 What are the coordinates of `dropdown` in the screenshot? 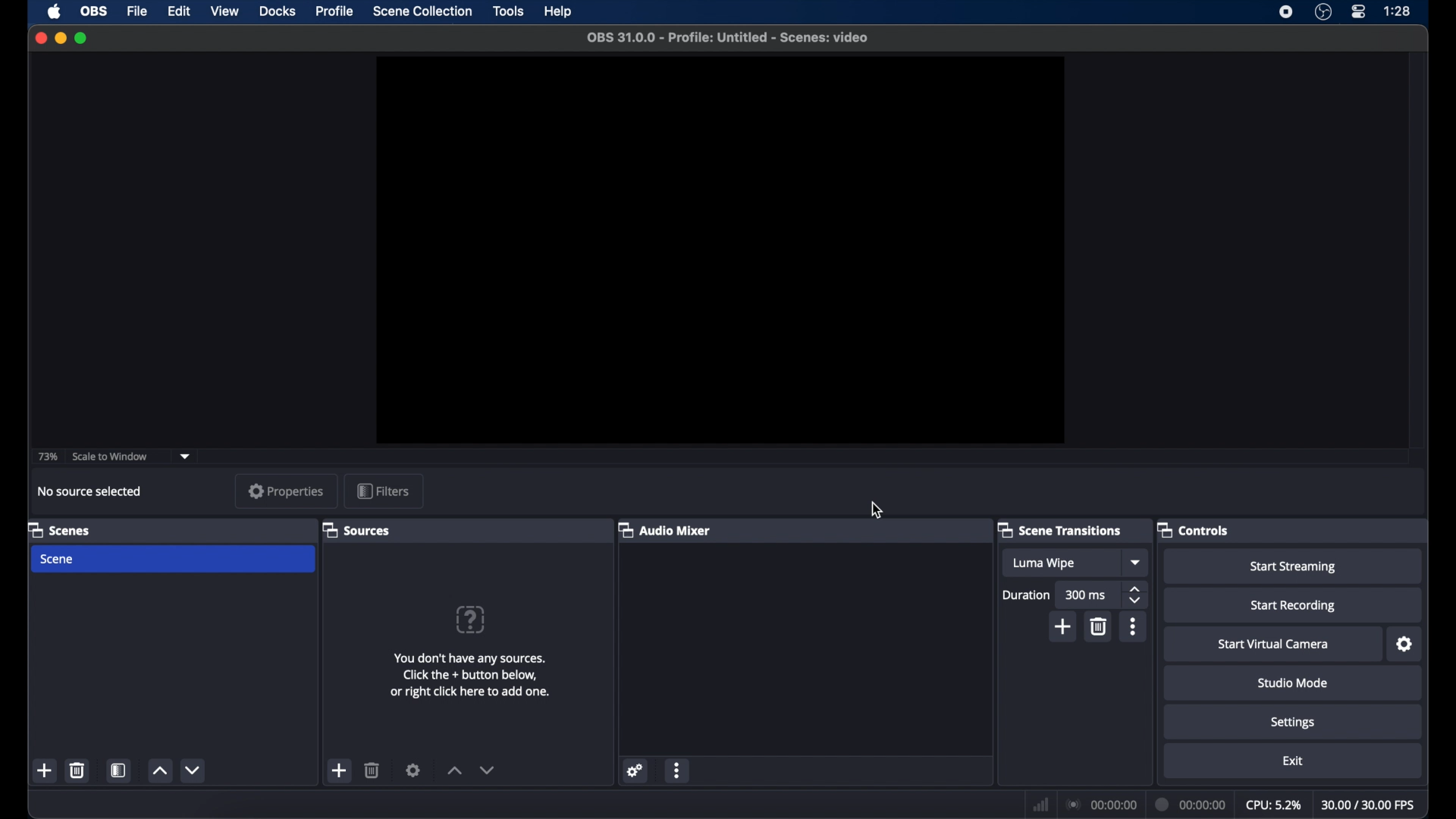 It's located at (1134, 563).